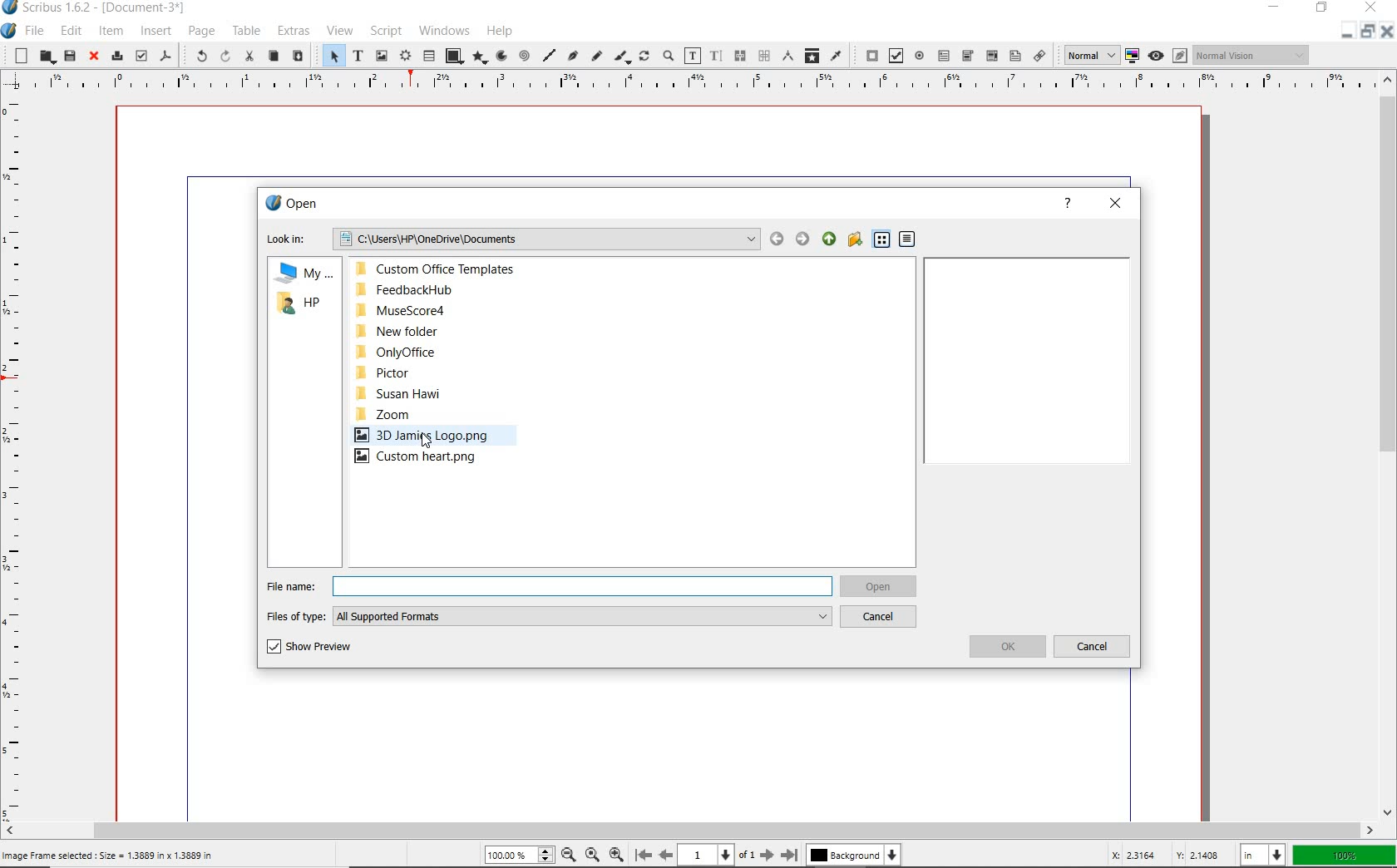 The width and height of the screenshot is (1397, 868). I want to click on close, so click(95, 56).